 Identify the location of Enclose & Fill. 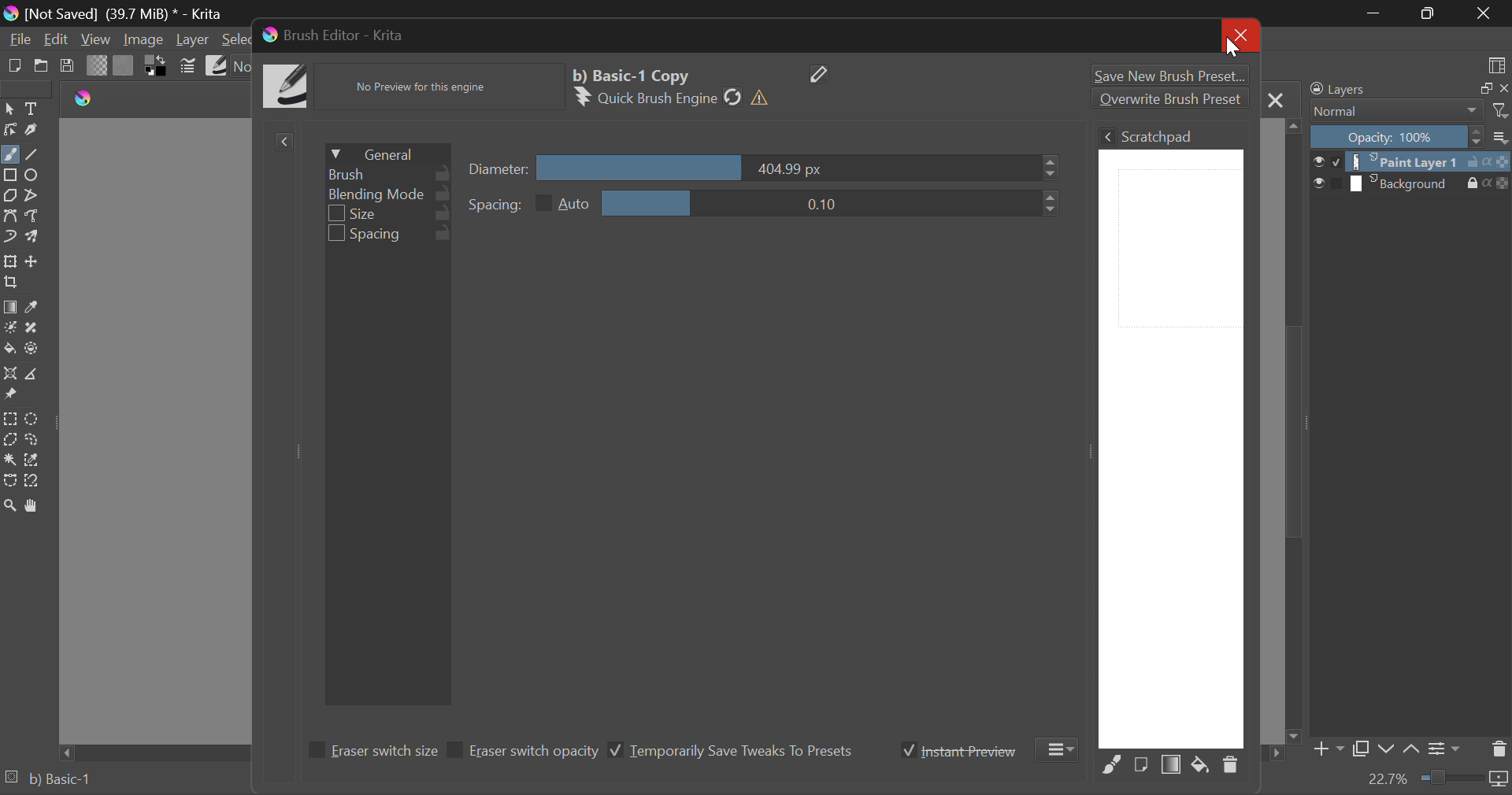
(32, 348).